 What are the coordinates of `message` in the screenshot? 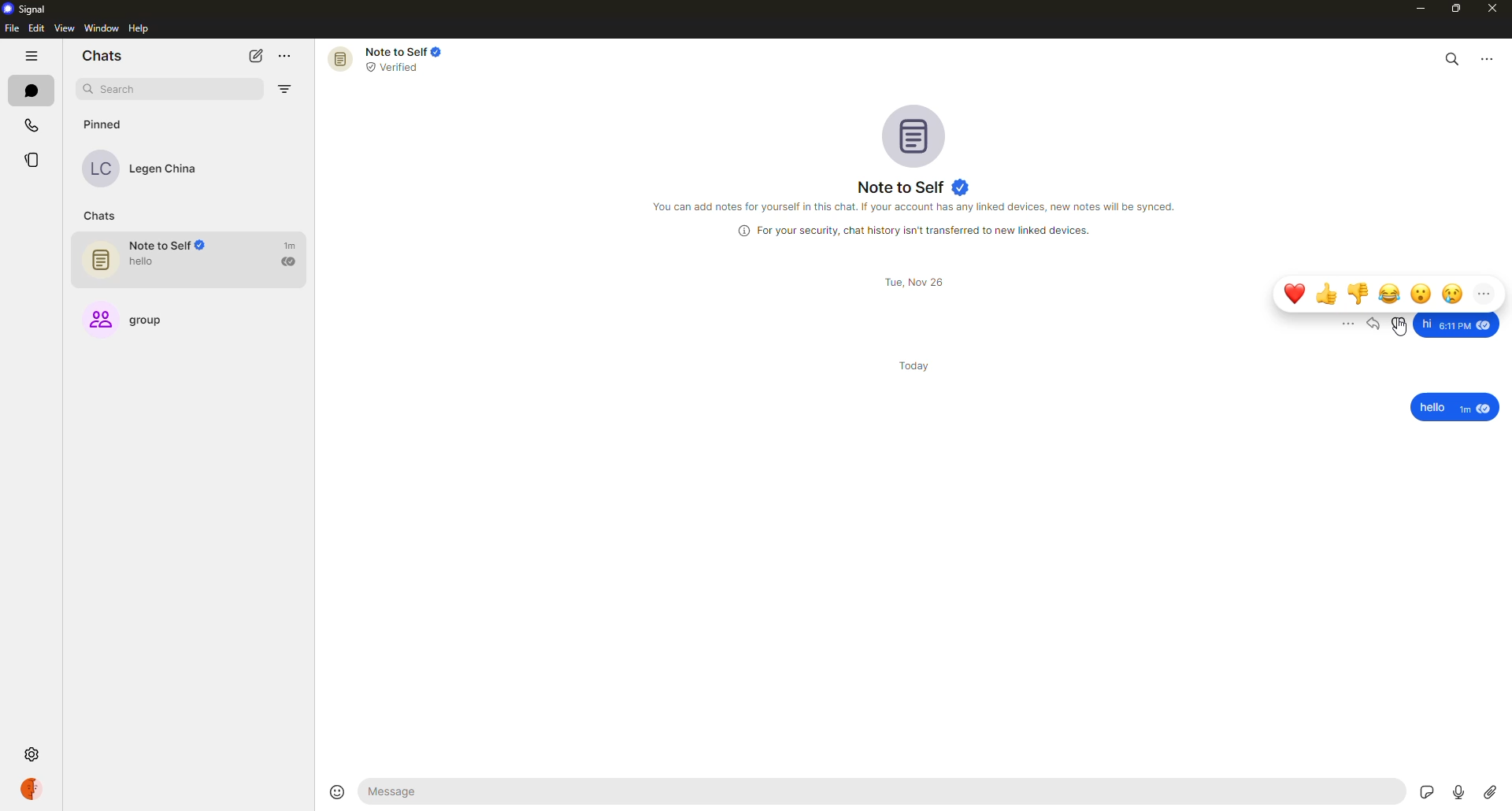 It's located at (496, 792).